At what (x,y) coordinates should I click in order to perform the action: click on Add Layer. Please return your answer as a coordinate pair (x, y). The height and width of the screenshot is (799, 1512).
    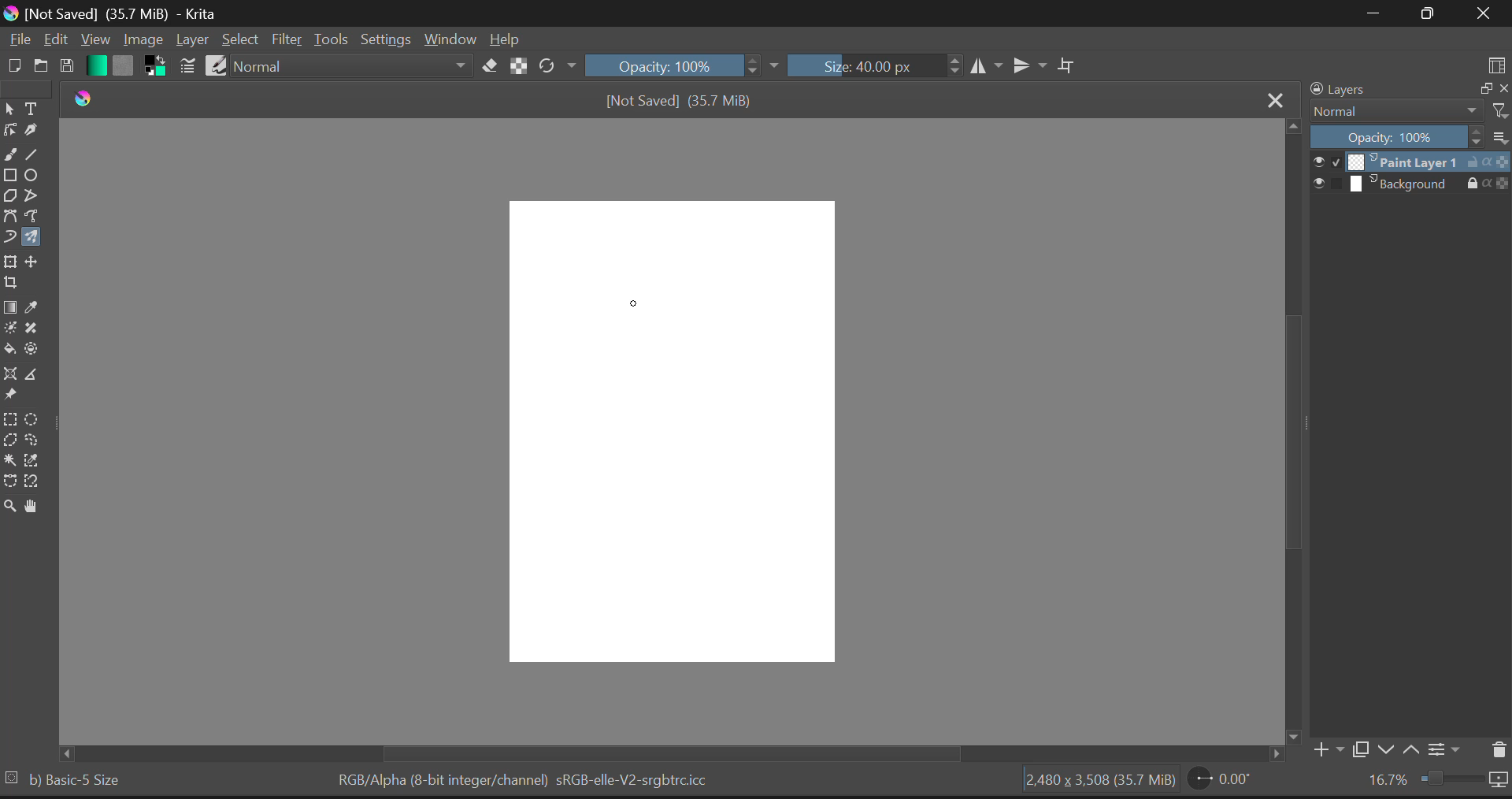
    Looking at the image, I should click on (1327, 749).